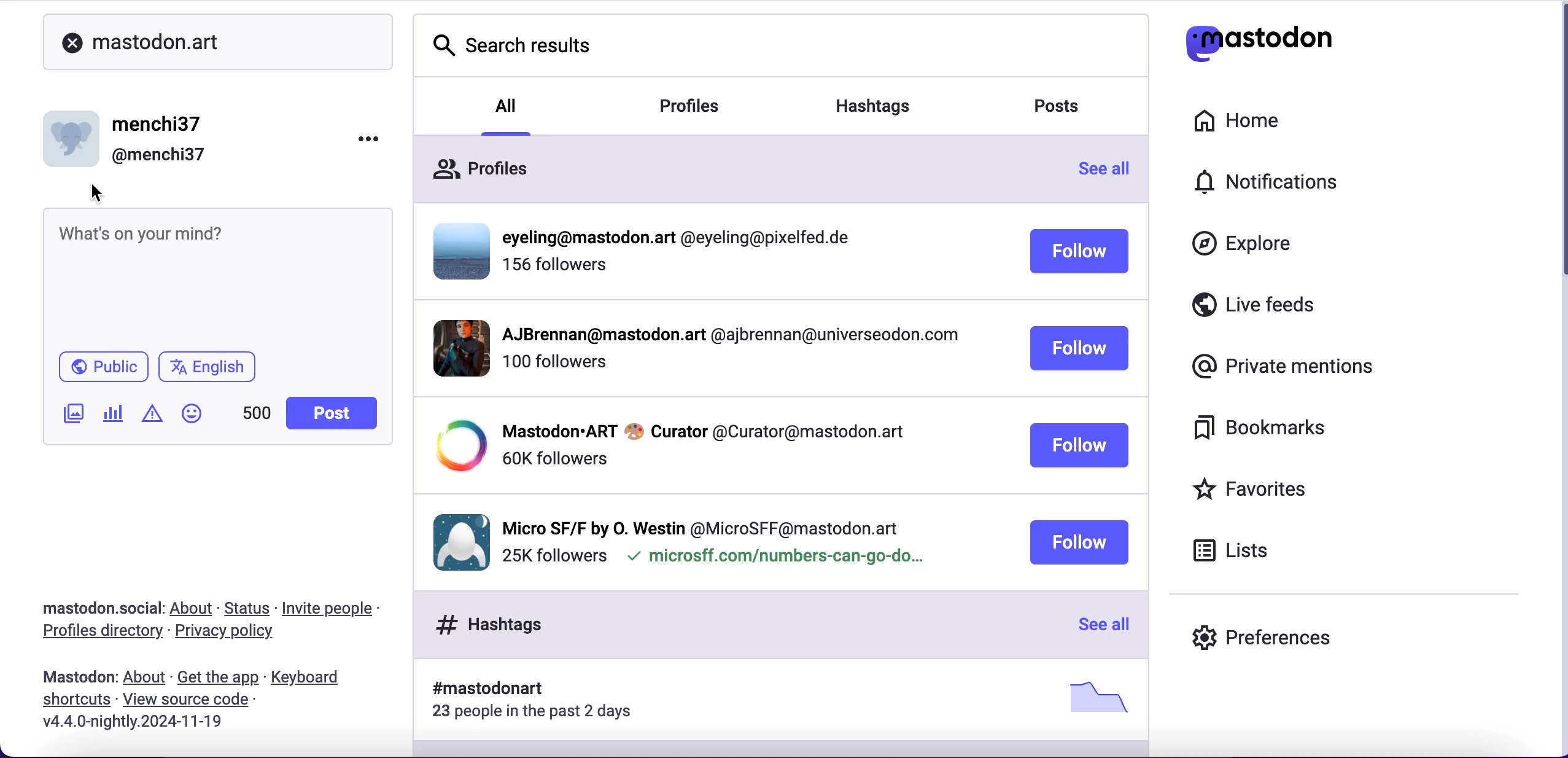 The width and height of the screenshot is (1568, 758). What do you see at coordinates (1243, 244) in the screenshot?
I see `explore` at bounding box center [1243, 244].